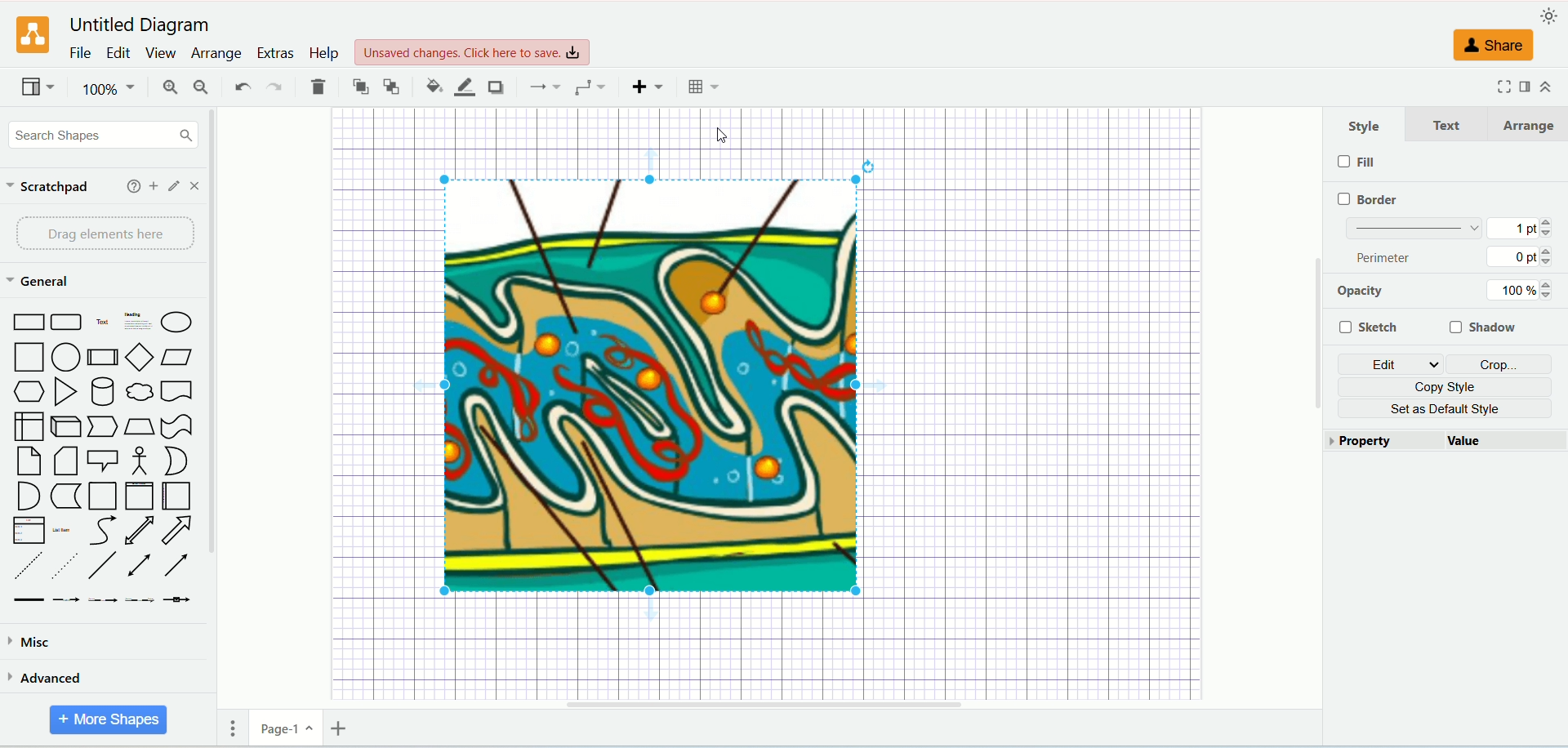 This screenshot has height=748, width=1568. Describe the element at coordinates (339, 728) in the screenshot. I see `insert page` at that location.